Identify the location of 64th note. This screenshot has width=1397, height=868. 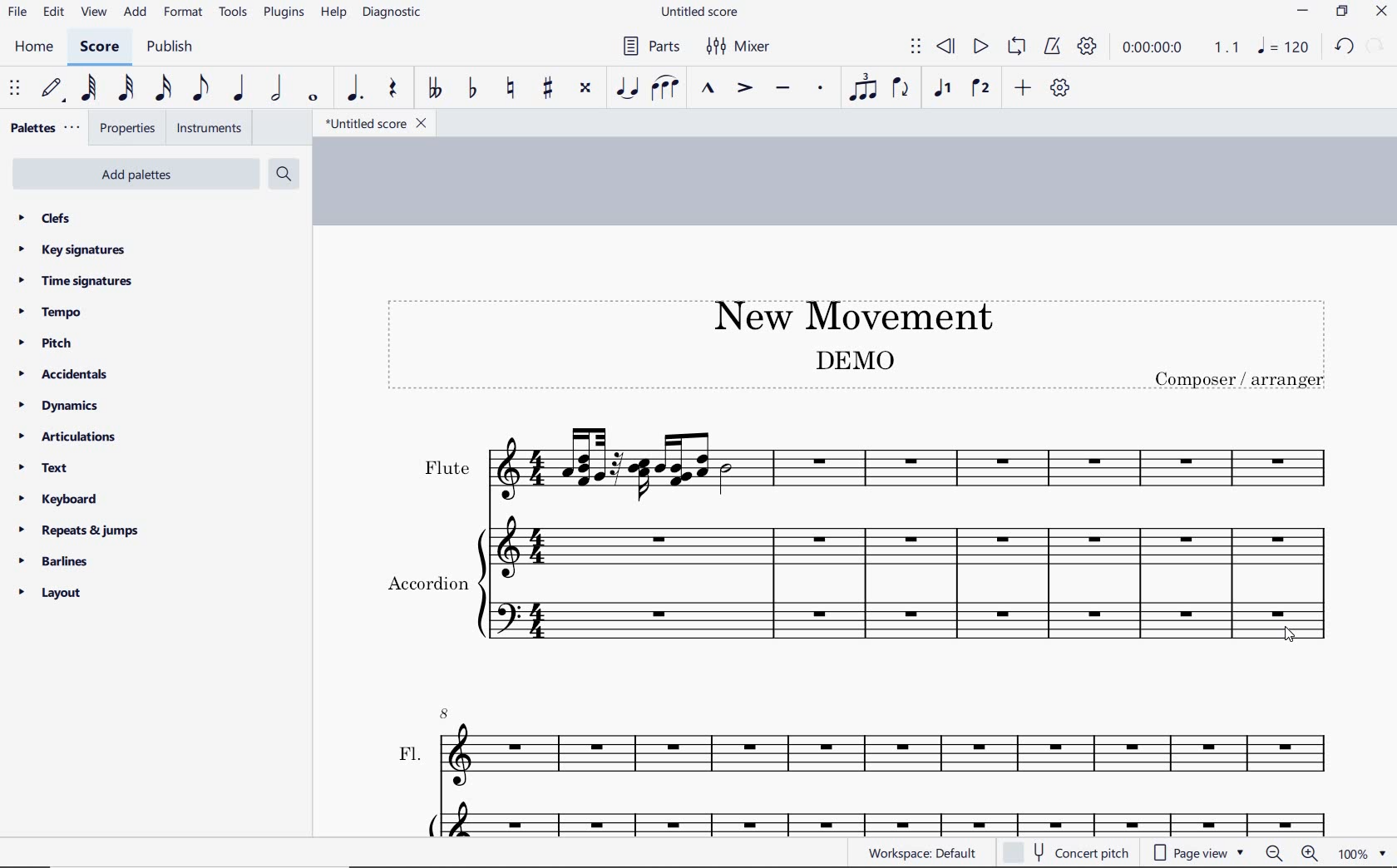
(91, 88).